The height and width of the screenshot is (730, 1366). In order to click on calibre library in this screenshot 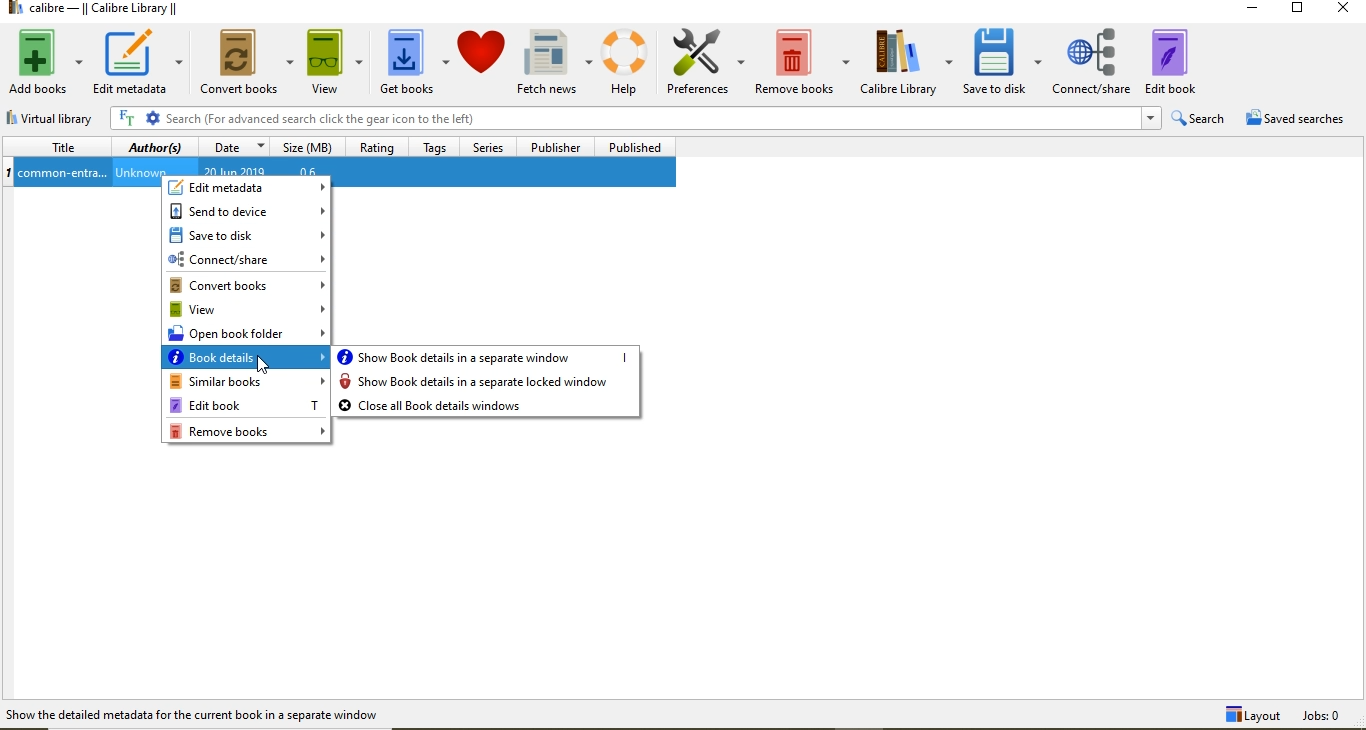, I will do `click(907, 63)`.